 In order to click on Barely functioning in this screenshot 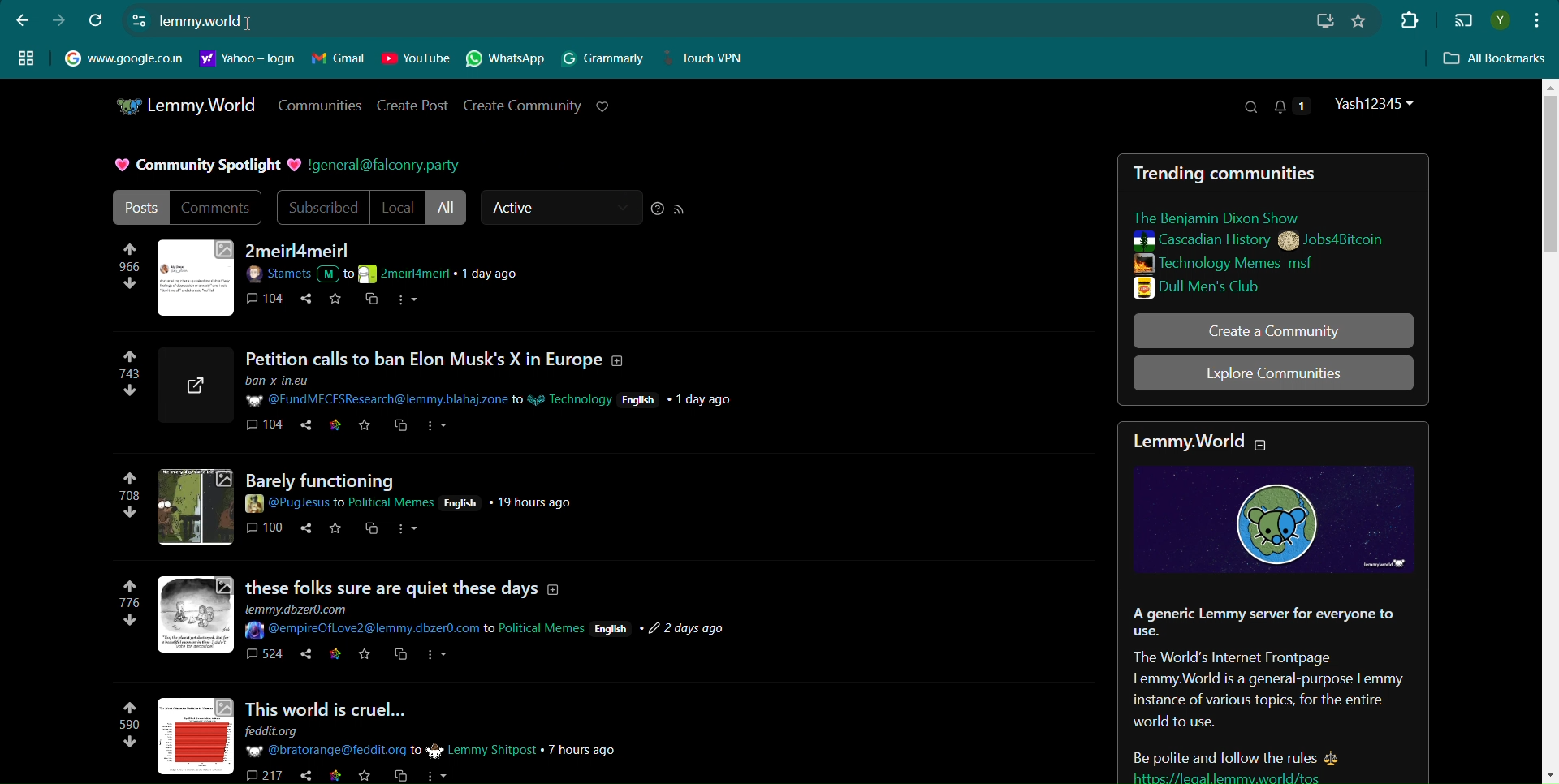, I will do `click(348, 477)`.